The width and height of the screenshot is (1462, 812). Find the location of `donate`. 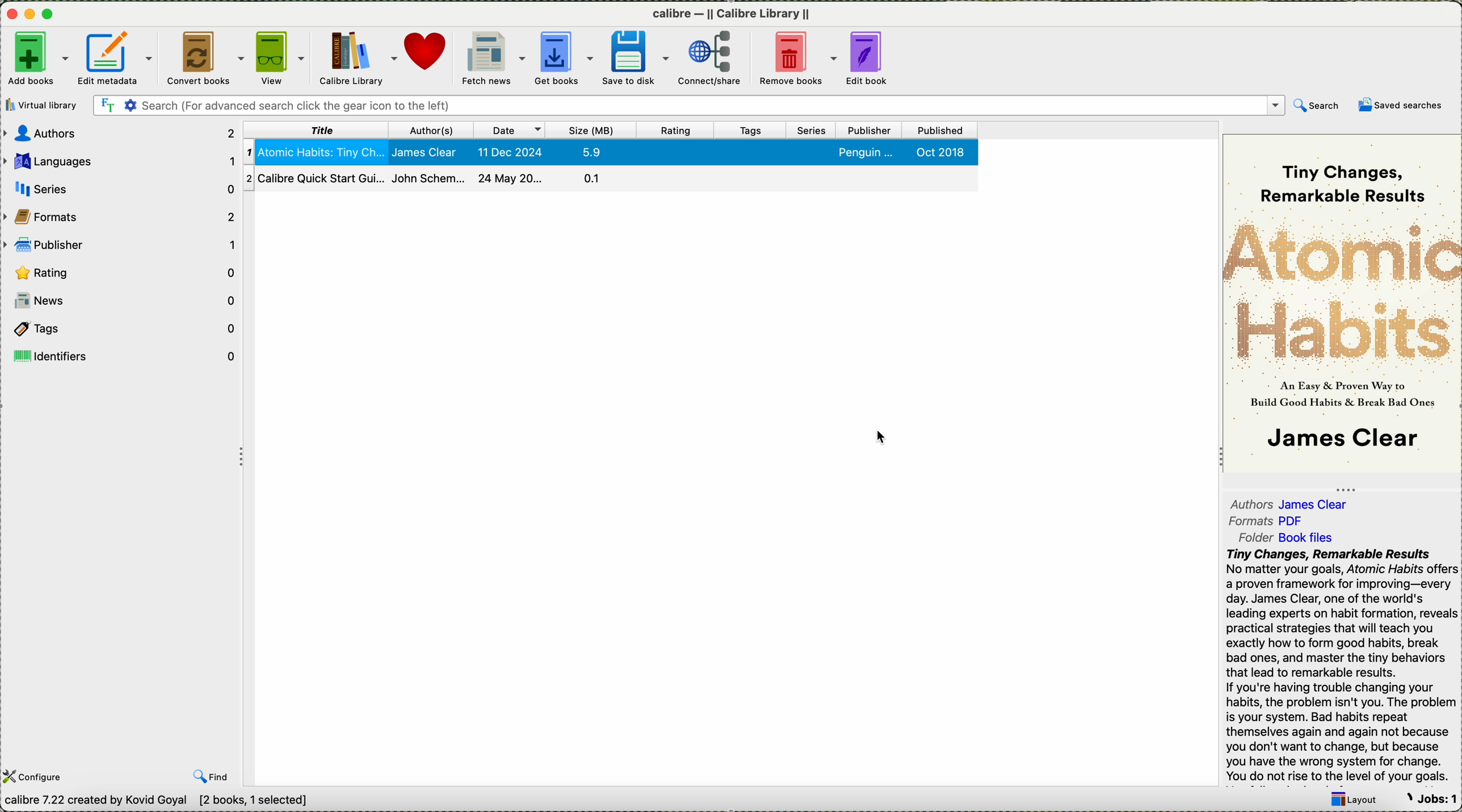

donate is located at coordinates (428, 54).